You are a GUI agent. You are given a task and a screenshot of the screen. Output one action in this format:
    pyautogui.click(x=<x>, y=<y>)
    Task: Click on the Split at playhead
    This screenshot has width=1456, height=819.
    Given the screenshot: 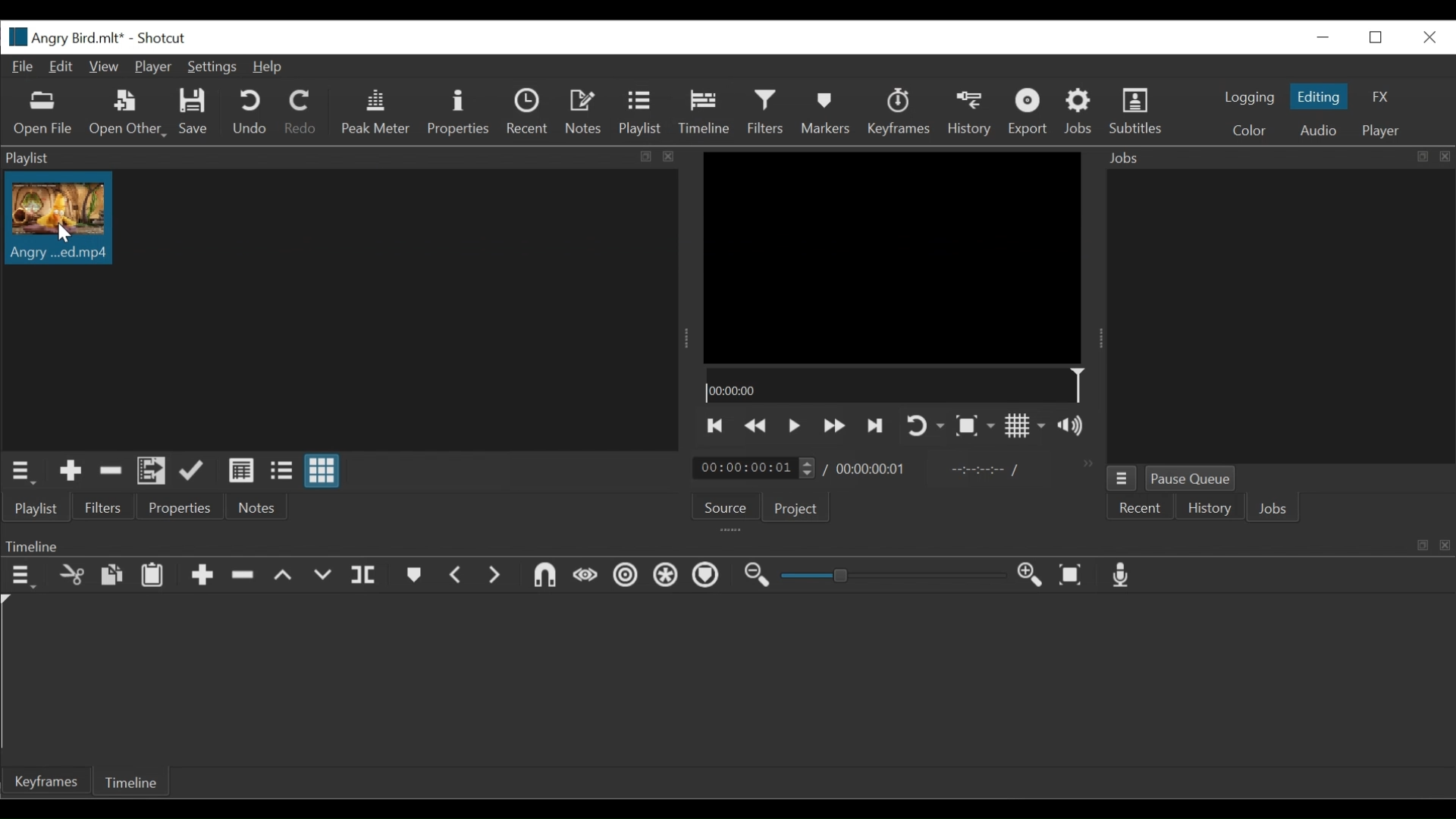 What is the action you would take?
    pyautogui.click(x=366, y=575)
    